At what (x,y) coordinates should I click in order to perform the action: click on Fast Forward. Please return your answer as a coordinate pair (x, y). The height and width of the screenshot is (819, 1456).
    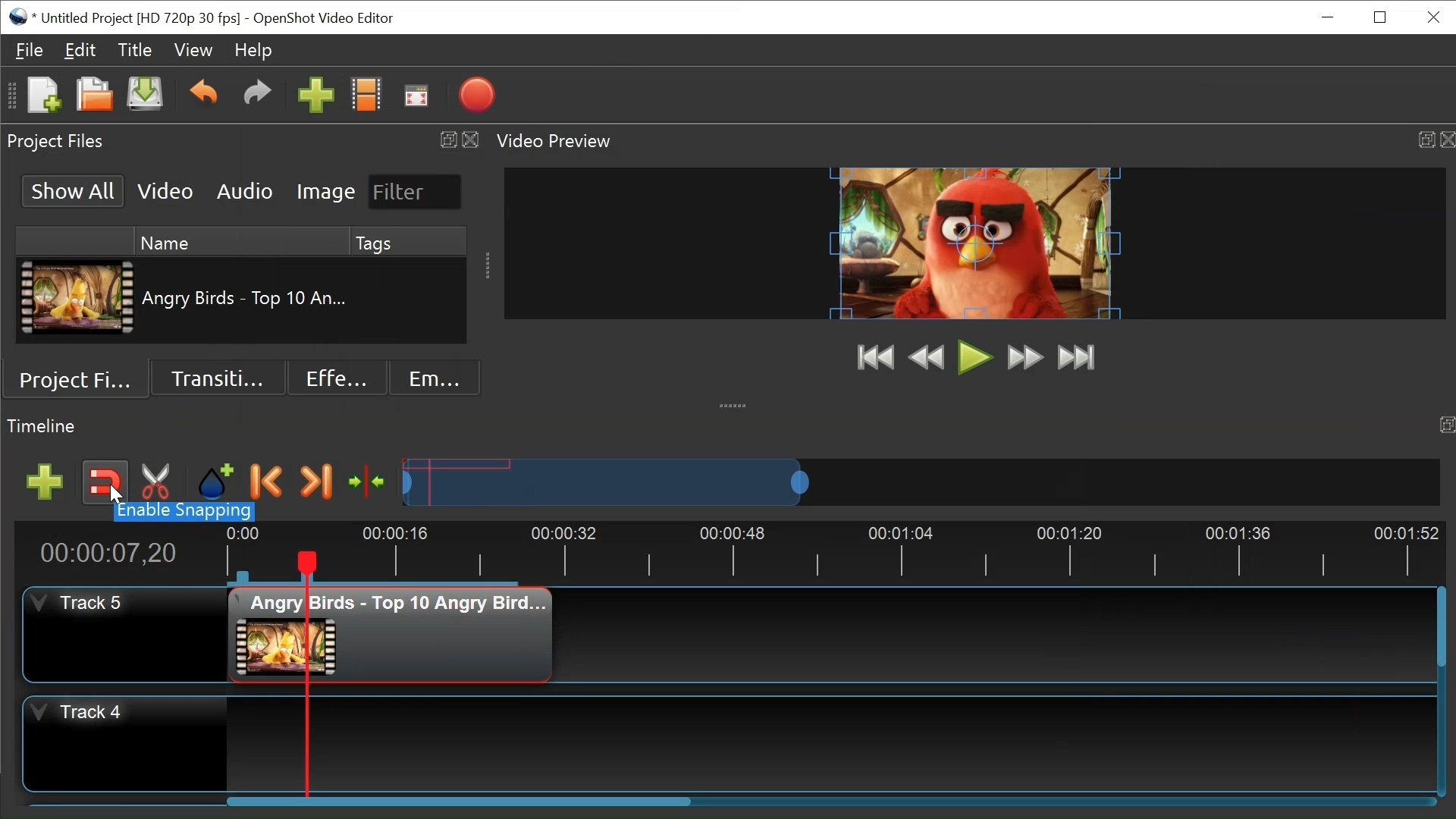
    Looking at the image, I should click on (1025, 357).